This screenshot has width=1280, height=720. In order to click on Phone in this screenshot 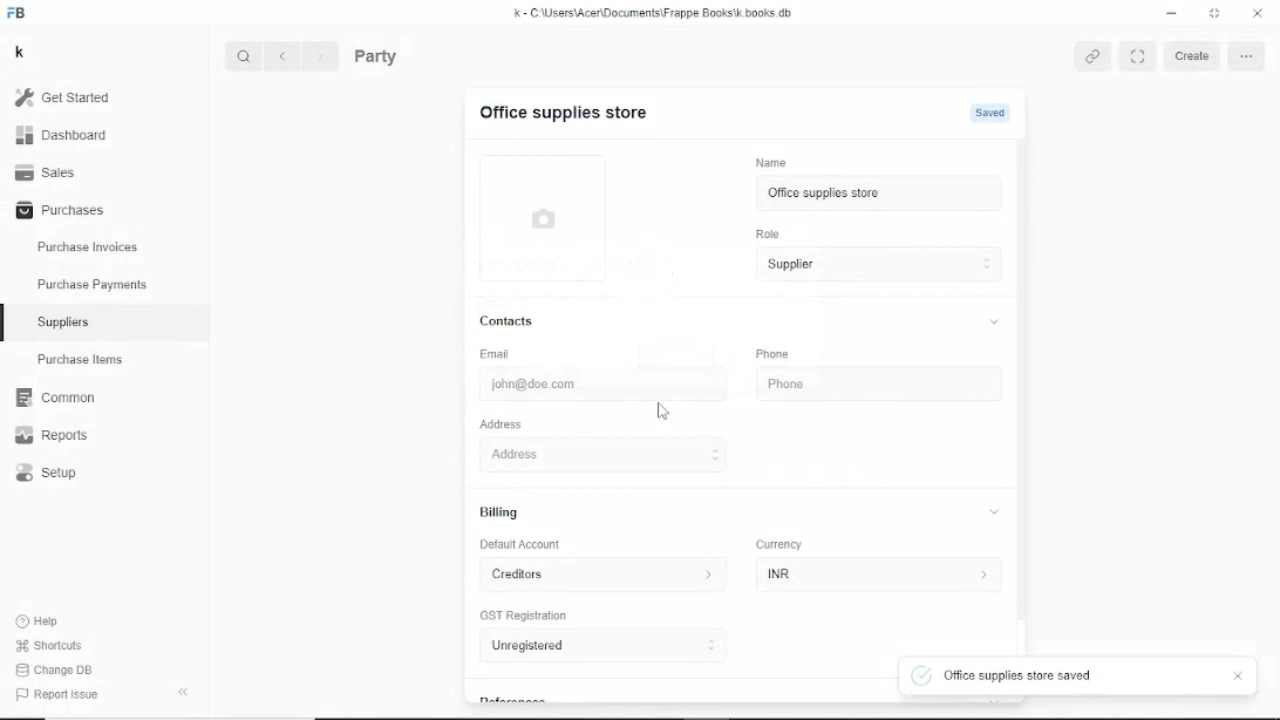, I will do `click(772, 355)`.